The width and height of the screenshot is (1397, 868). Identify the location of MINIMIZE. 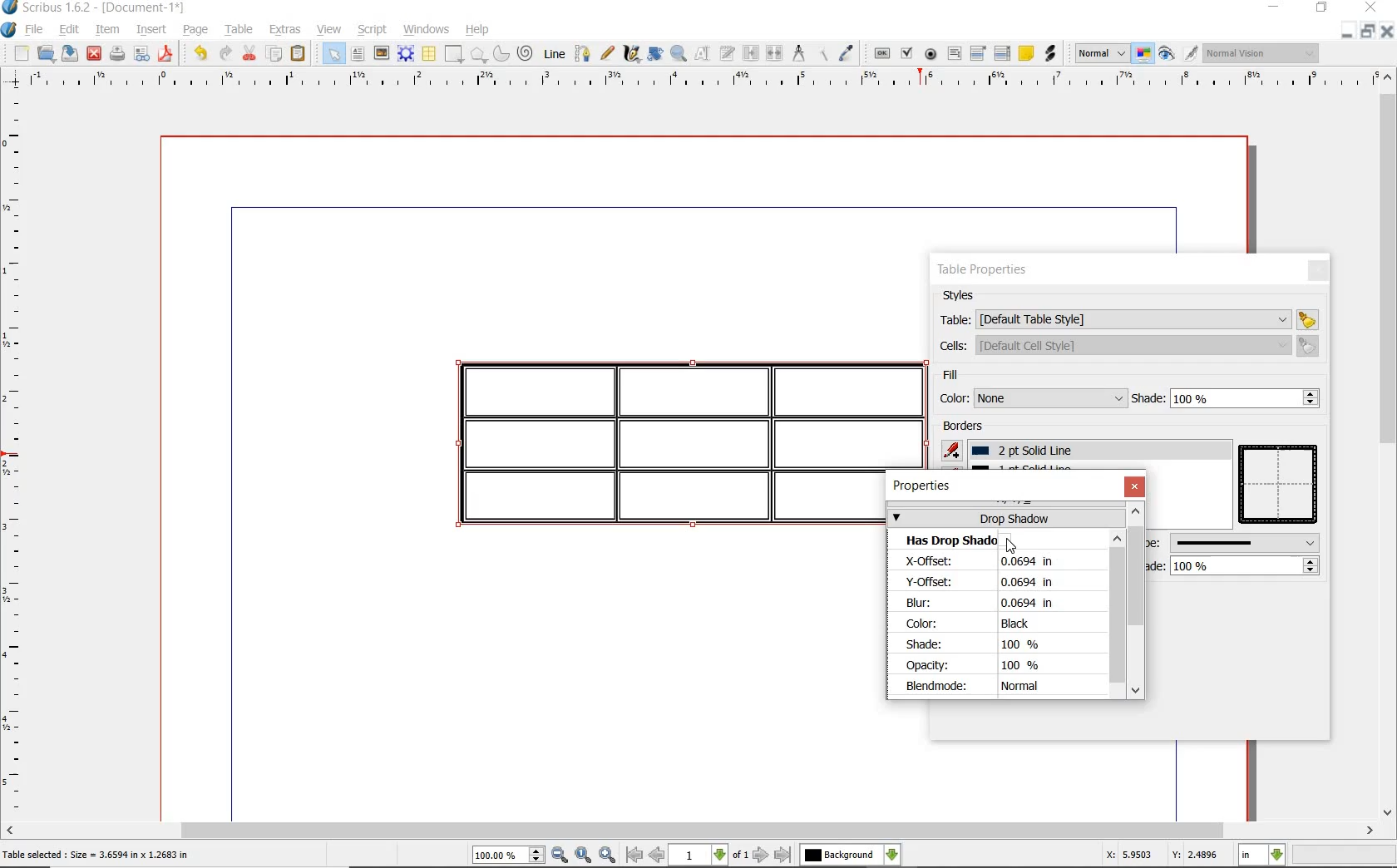
(1348, 31).